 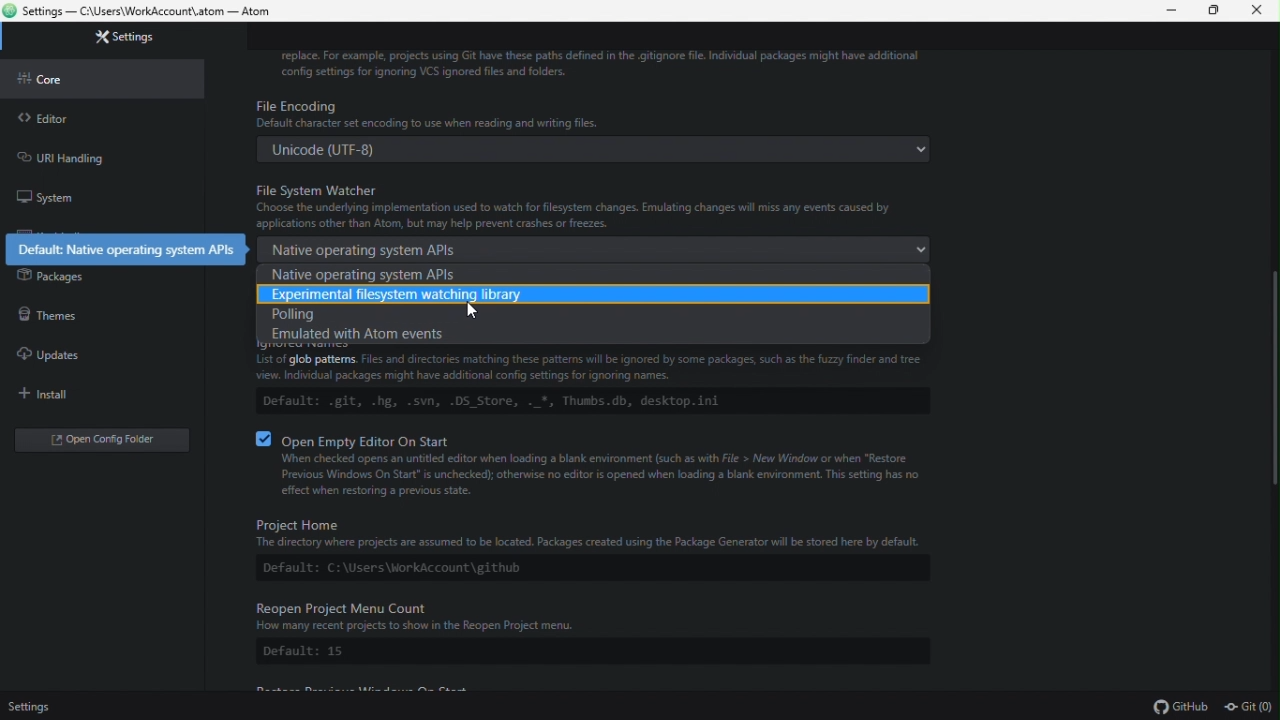 What do you see at coordinates (1218, 12) in the screenshot?
I see `restore` at bounding box center [1218, 12].